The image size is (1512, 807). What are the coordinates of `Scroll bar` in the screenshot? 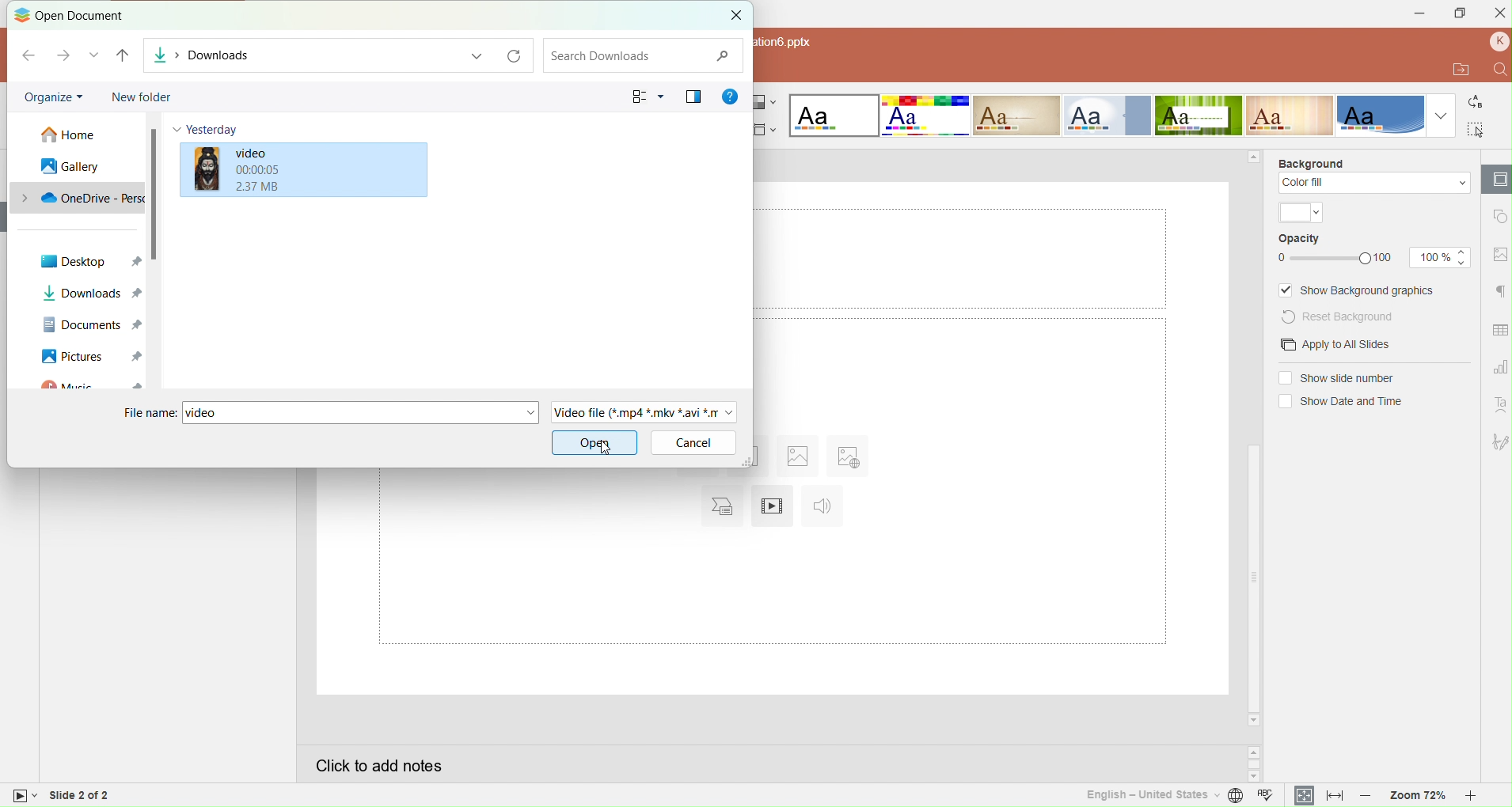 It's located at (157, 192).